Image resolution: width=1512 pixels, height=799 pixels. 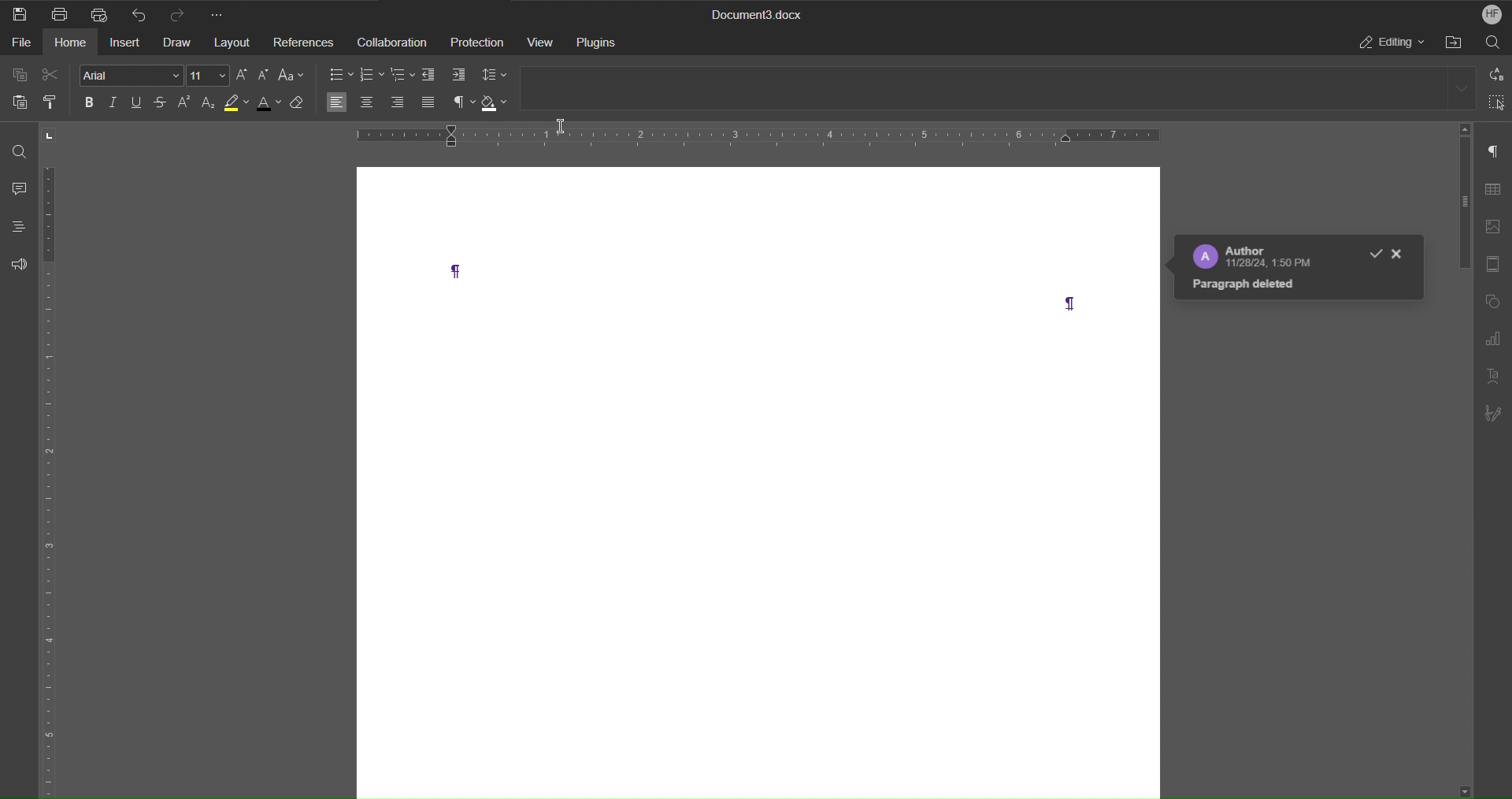 I want to click on Decrease indent, so click(x=432, y=73).